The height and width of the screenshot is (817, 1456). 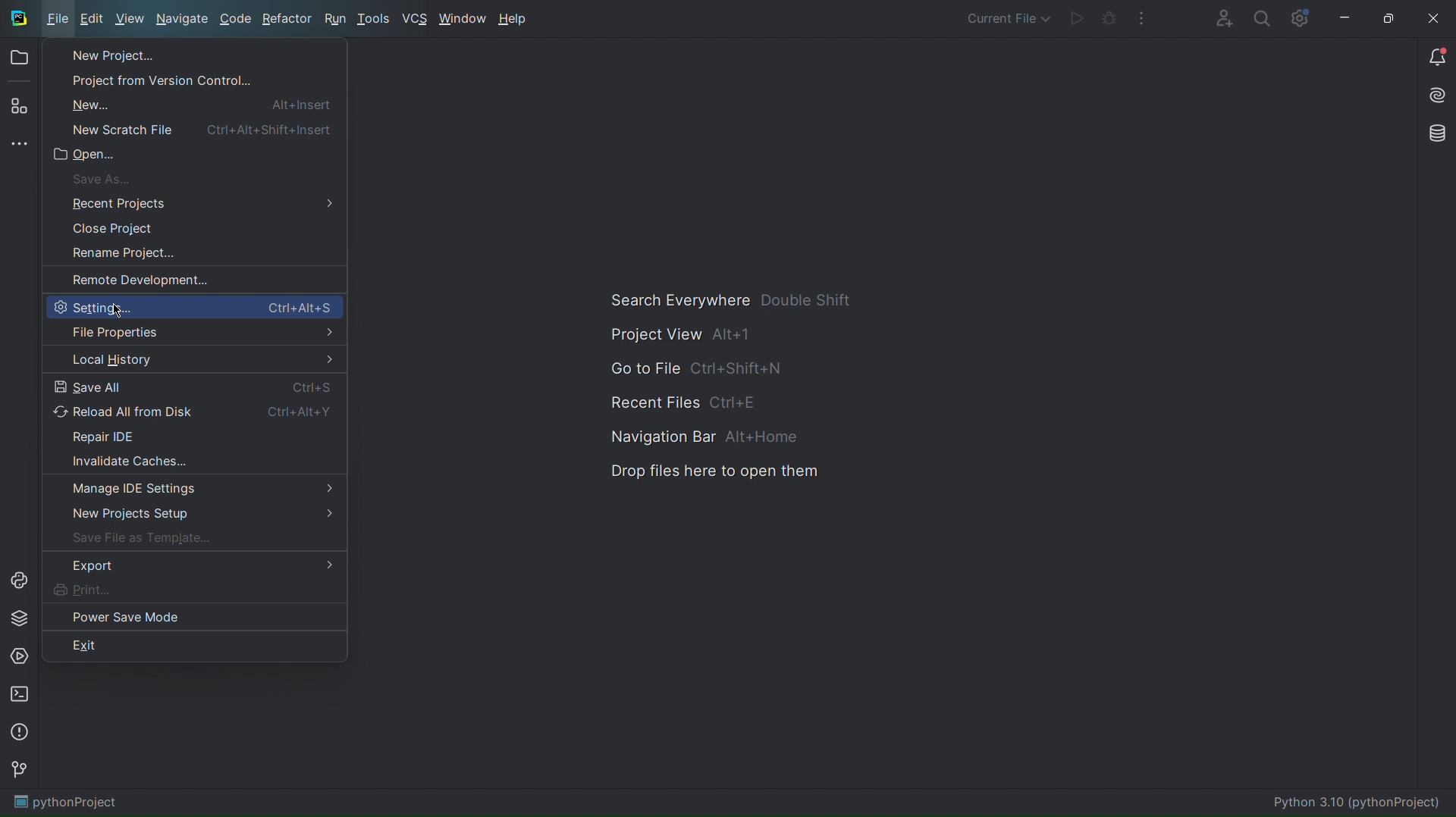 I want to click on Window, so click(x=463, y=20).